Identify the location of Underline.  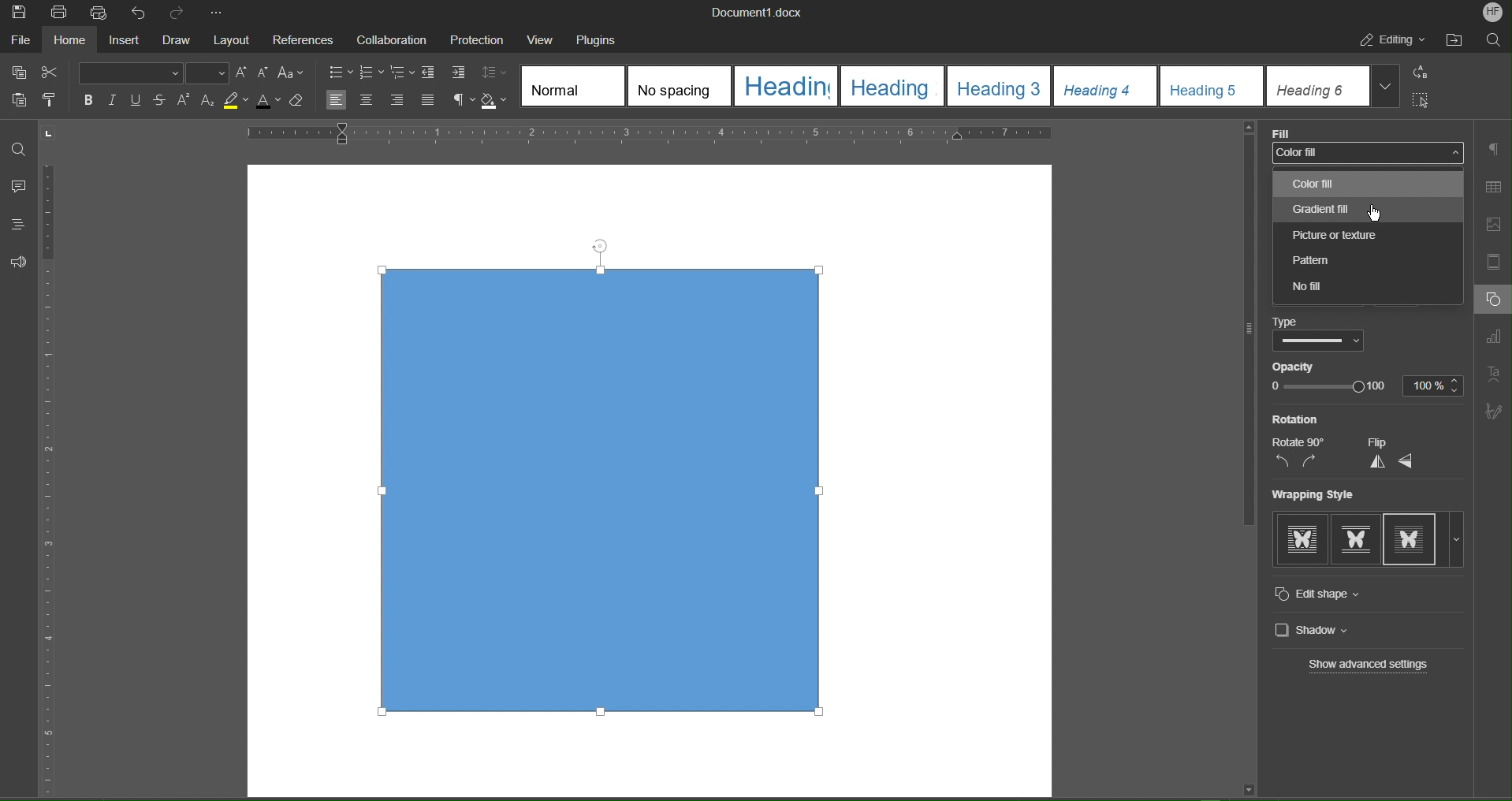
(140, 100).